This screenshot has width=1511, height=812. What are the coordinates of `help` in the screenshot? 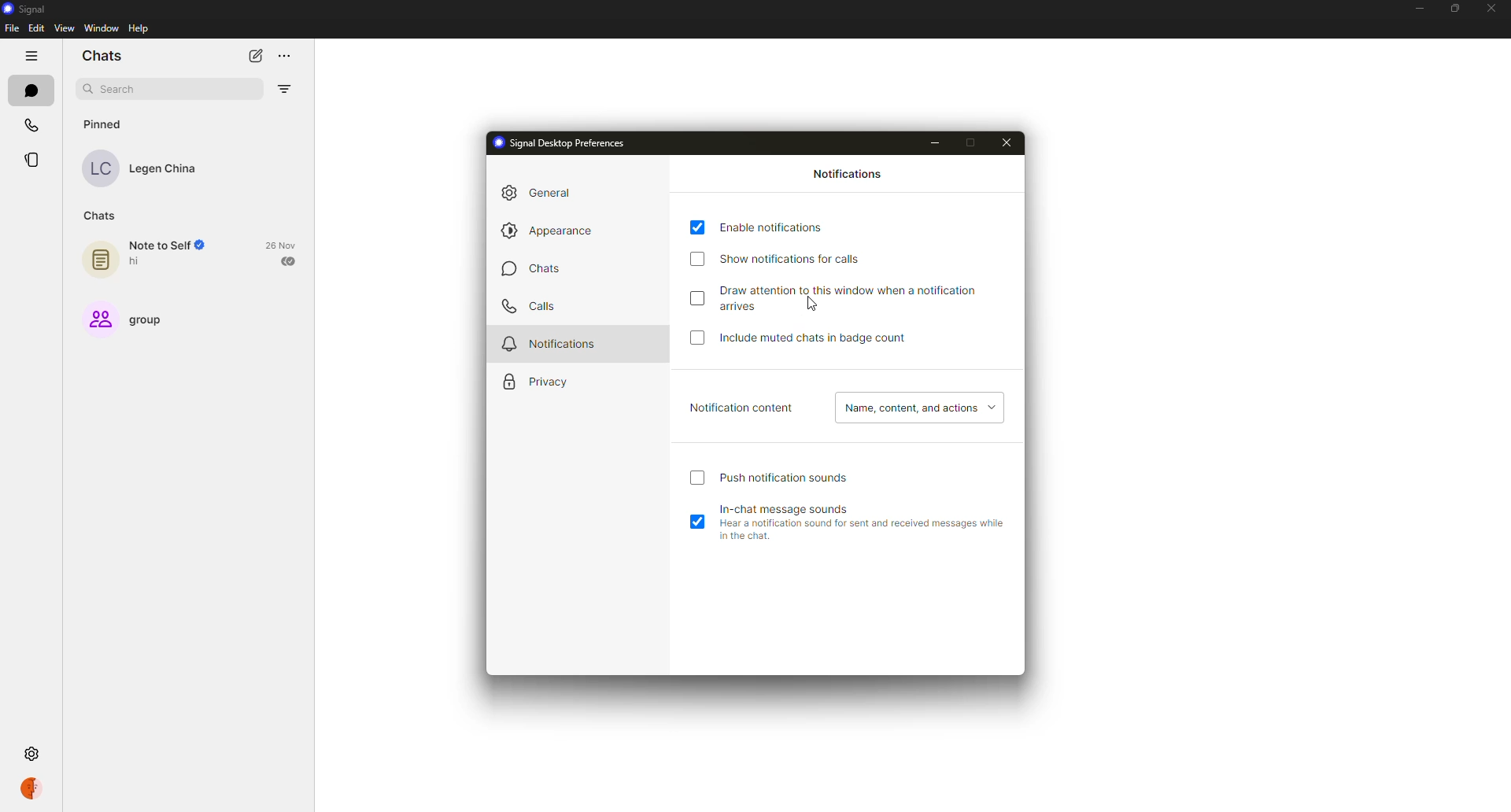 It's located at (136, 28).